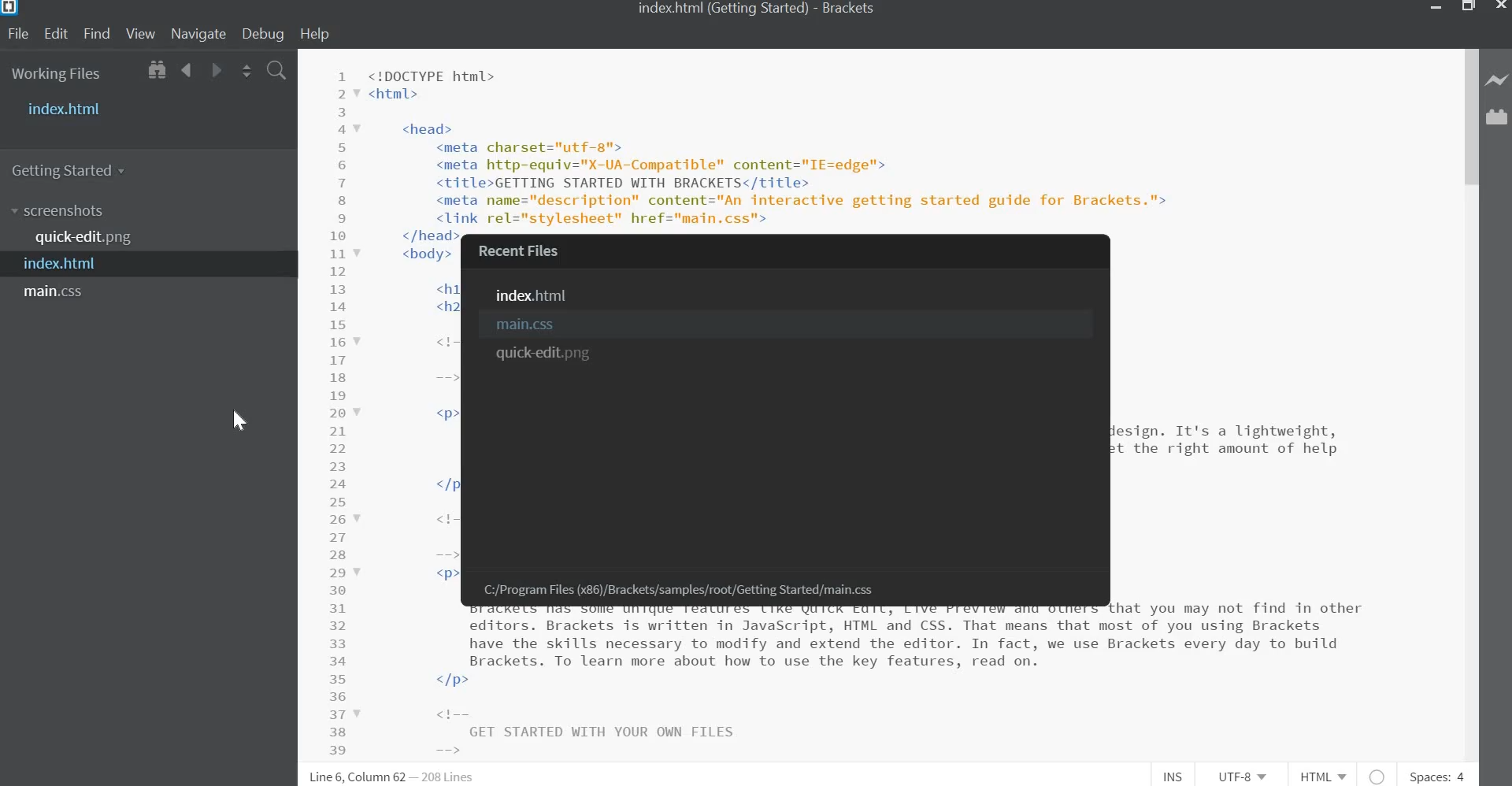 This screenshot has width=1512, height=786. What do you see at coordinates (20, 34) in the screenshot?
I see `File` at bounding box center [20, 34].